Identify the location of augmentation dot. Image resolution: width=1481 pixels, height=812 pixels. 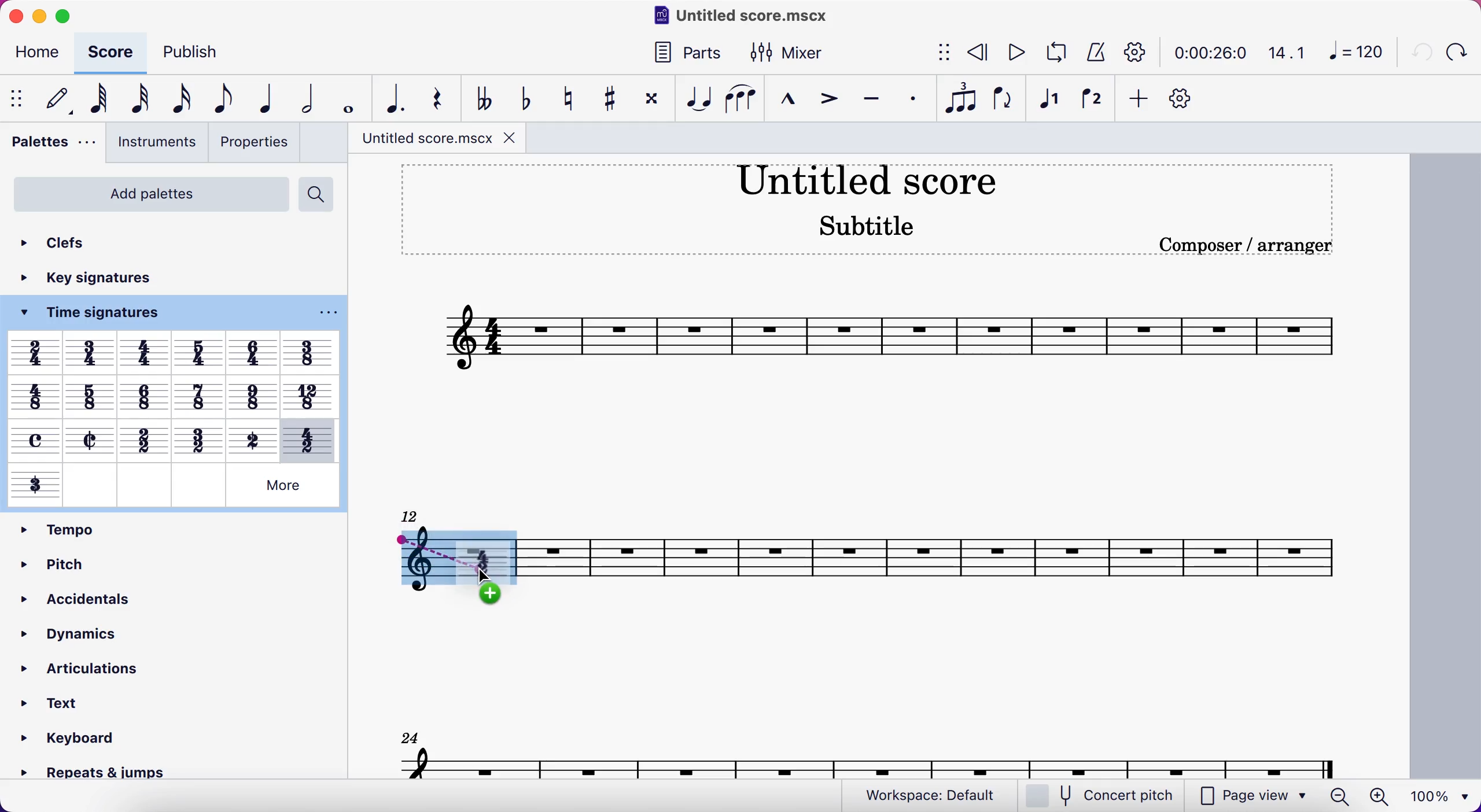
(393, 98).